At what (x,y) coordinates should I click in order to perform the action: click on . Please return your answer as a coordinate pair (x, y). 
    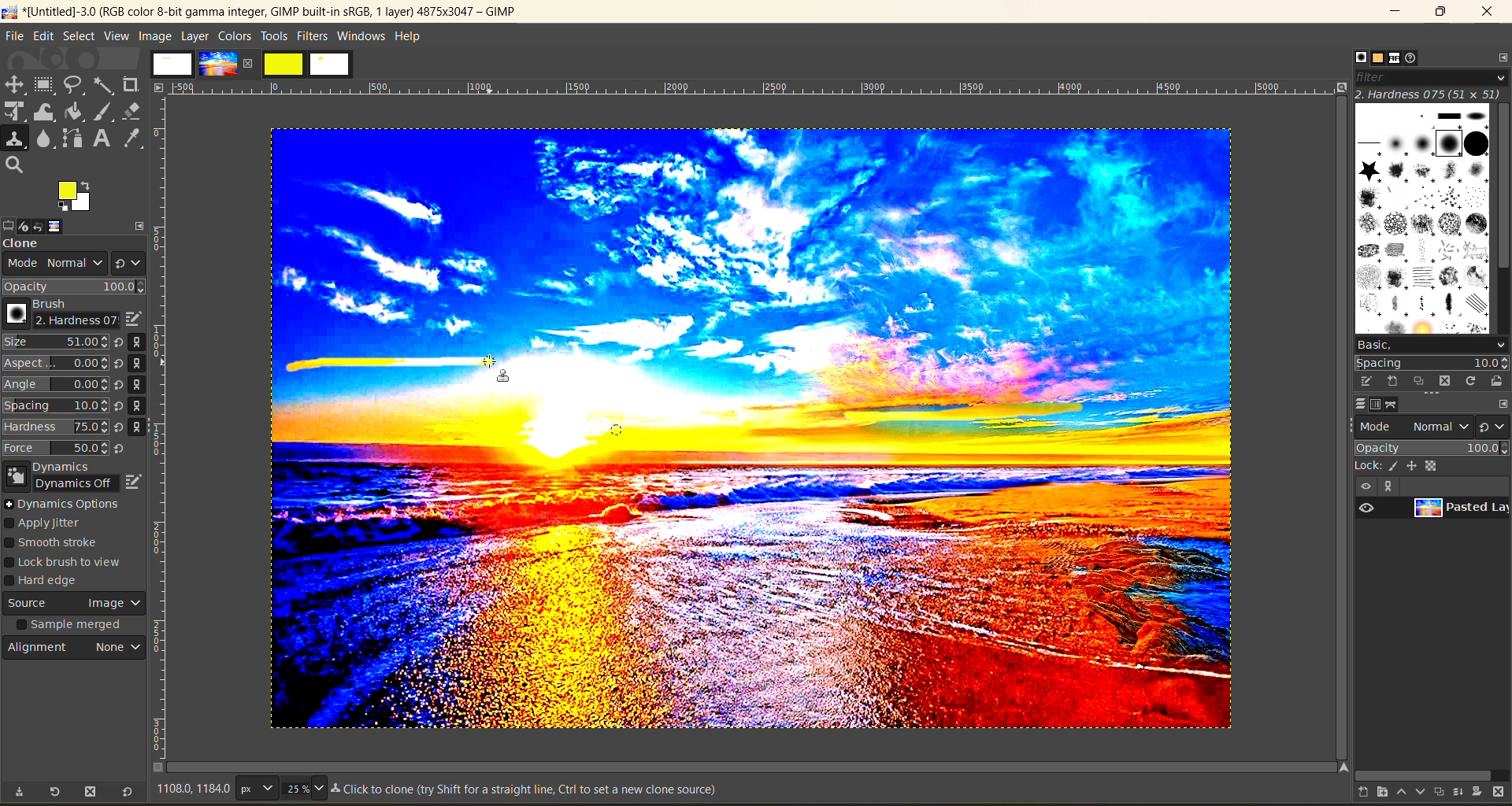
    Looking at the image, I should click on (159, 87).